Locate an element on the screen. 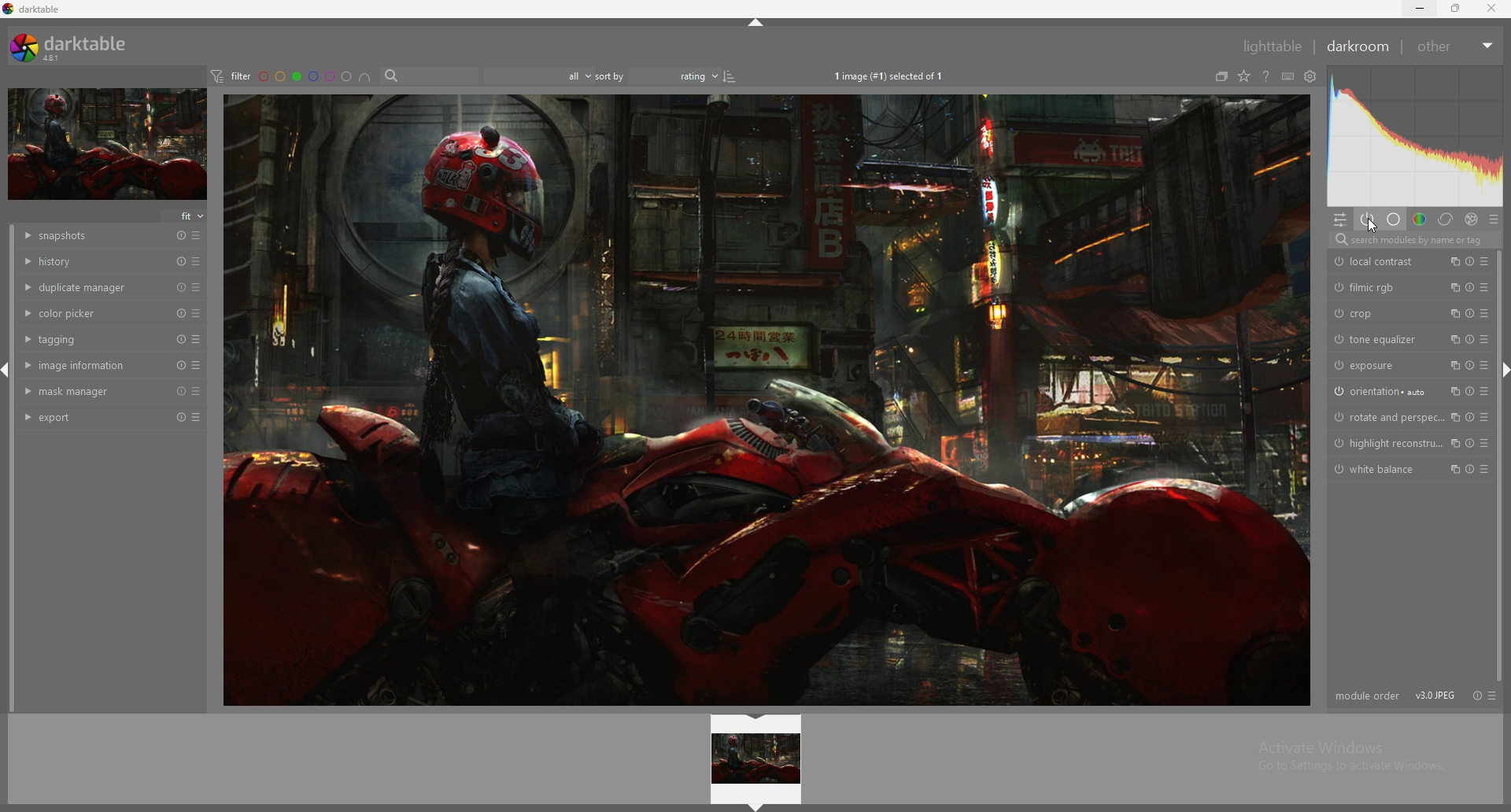  reset is located at coordinates (182, 314).